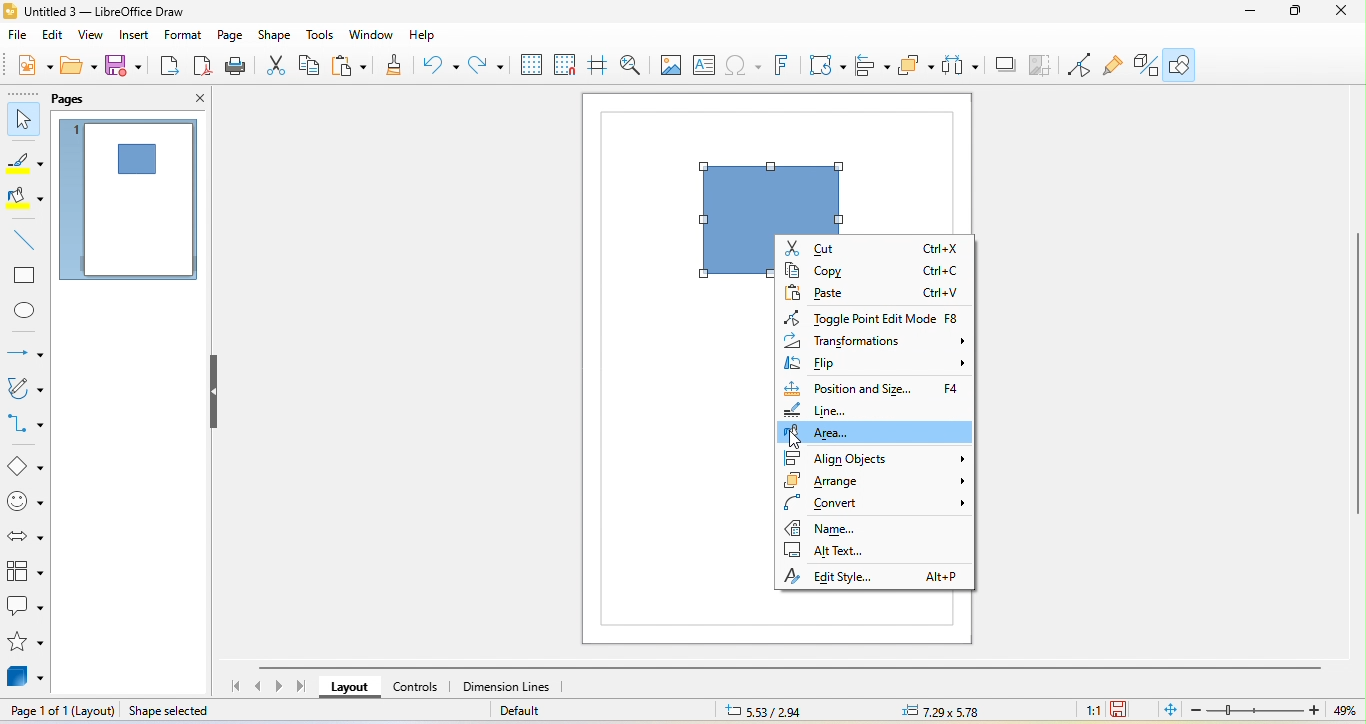 This screenshot has height=724, width=1366. What do you see at coordinates (875, 67) in the screenshot?
I see `align object` at bounding box center [875, 67].